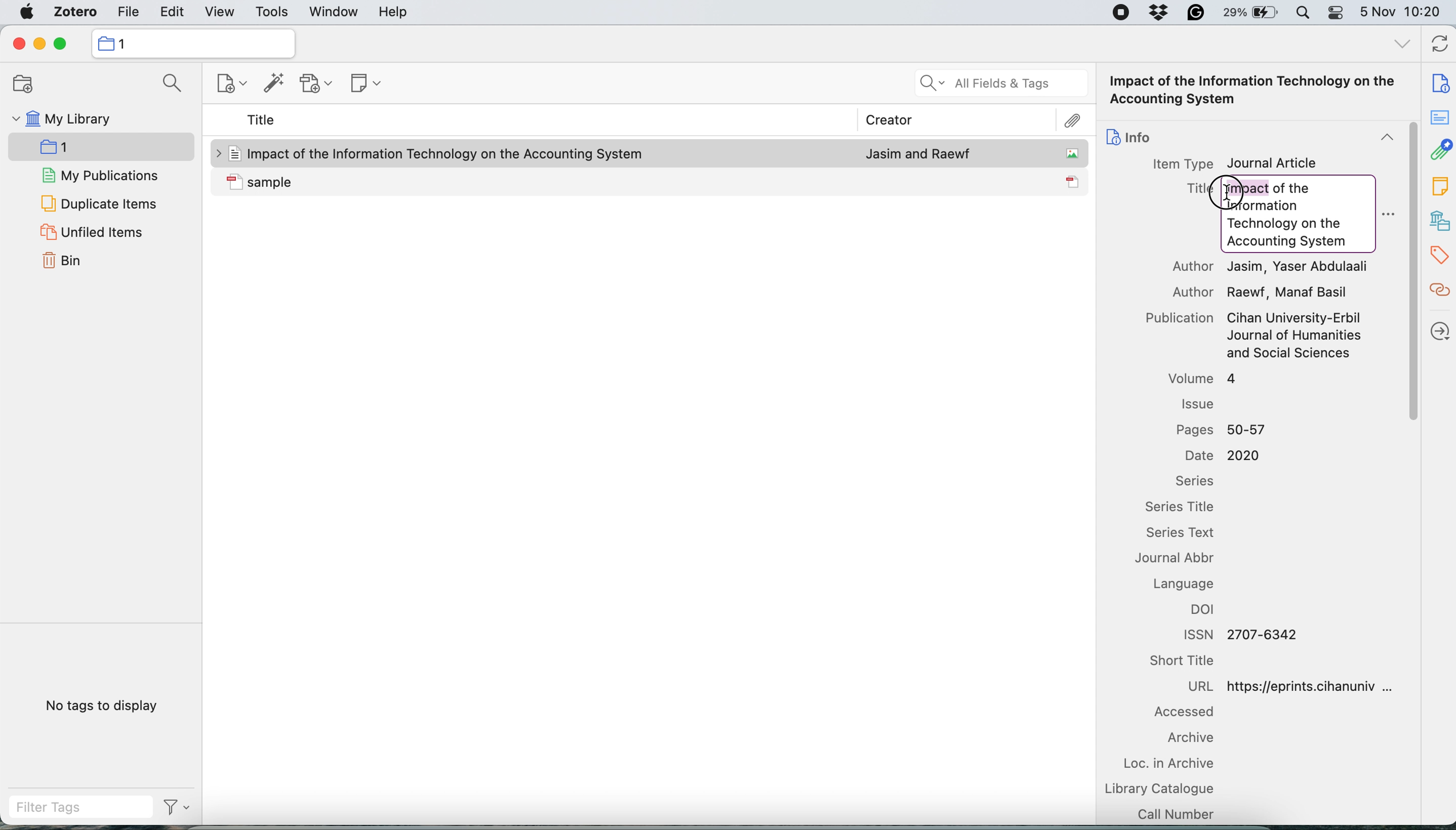 Image resolution: width=1456 pixels, height=830 pixels. What do you see at coordinates (1296, 336) in the screenshot?
I see `Cihan University-Erbil Journal of Humanities and Social Sciences` at bounding box center [1296, 336].